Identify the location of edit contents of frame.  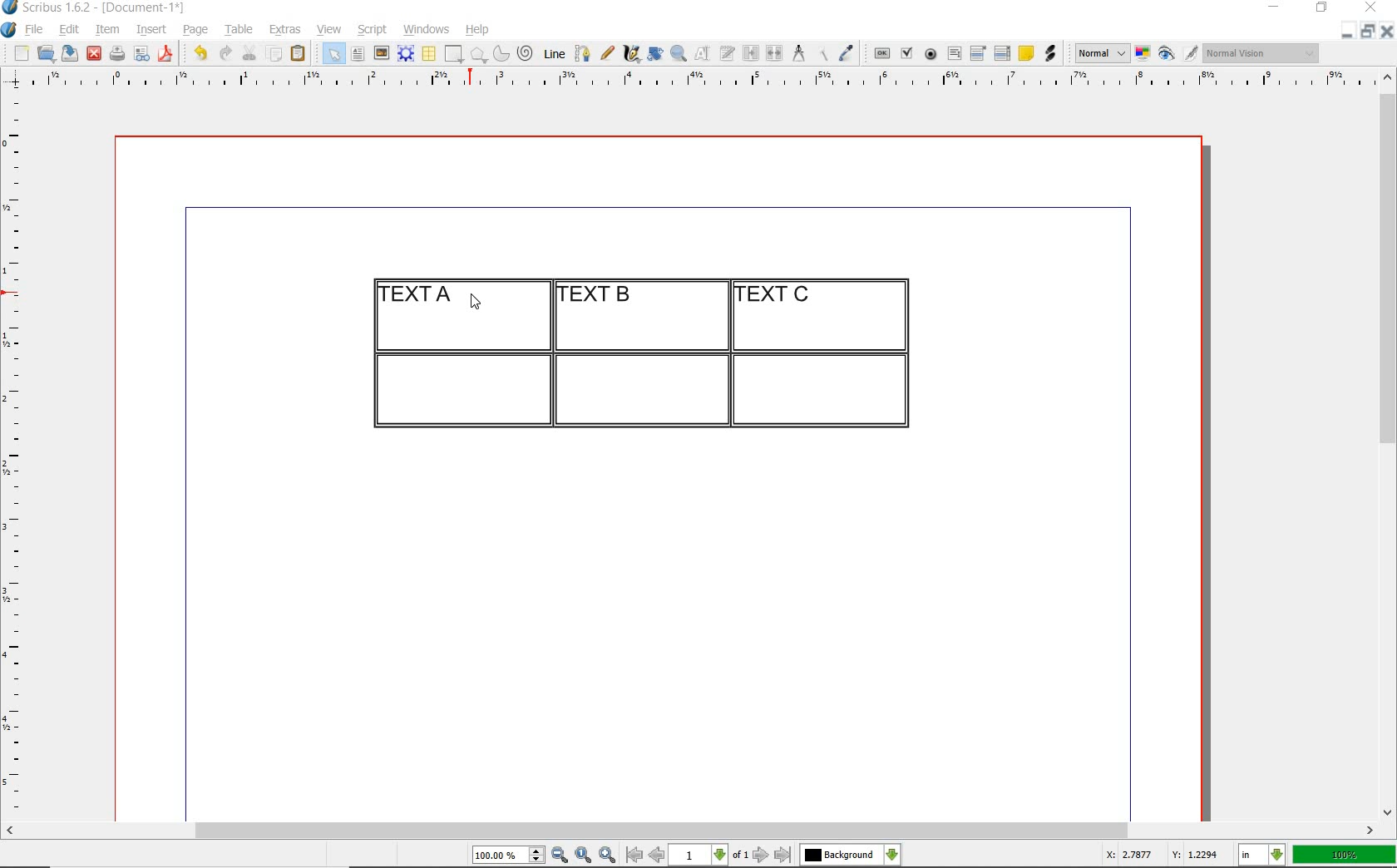
(703, 52).